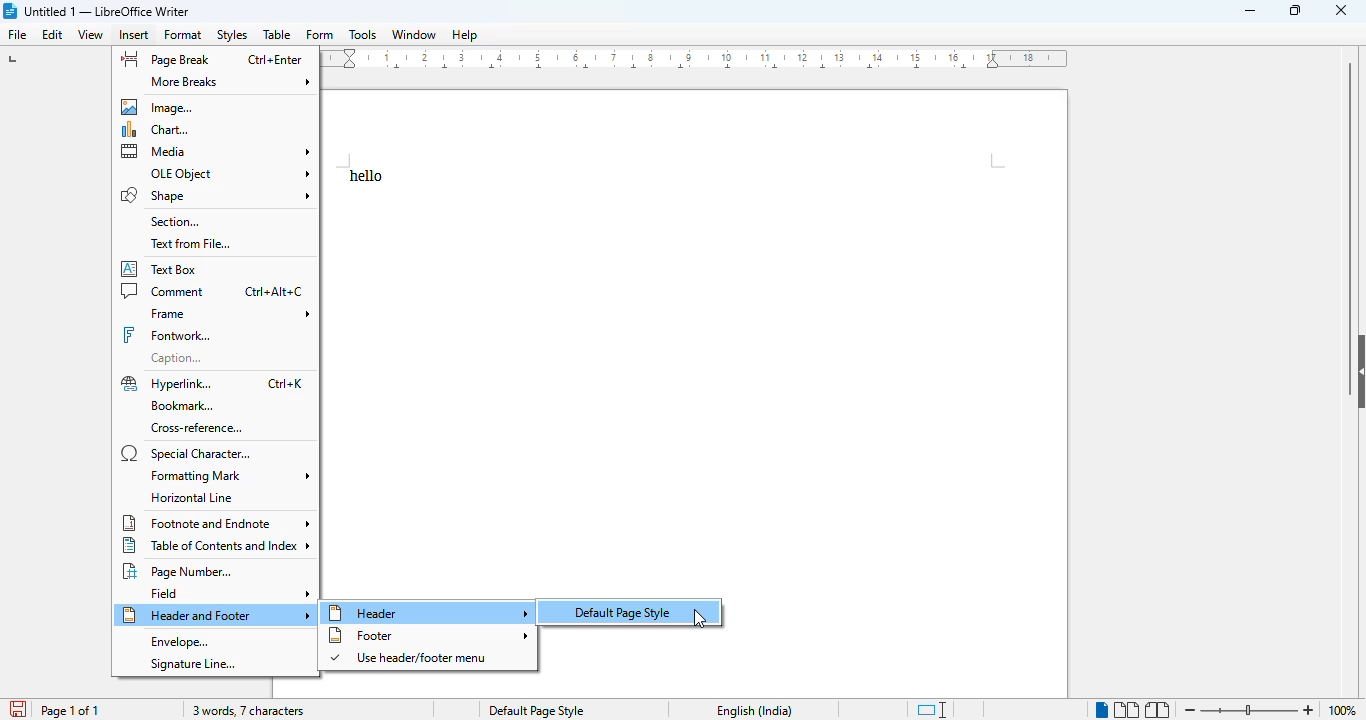  Describe the element at coordinates (1310, 710) in the screenshot. I see `zoom in` at that location.